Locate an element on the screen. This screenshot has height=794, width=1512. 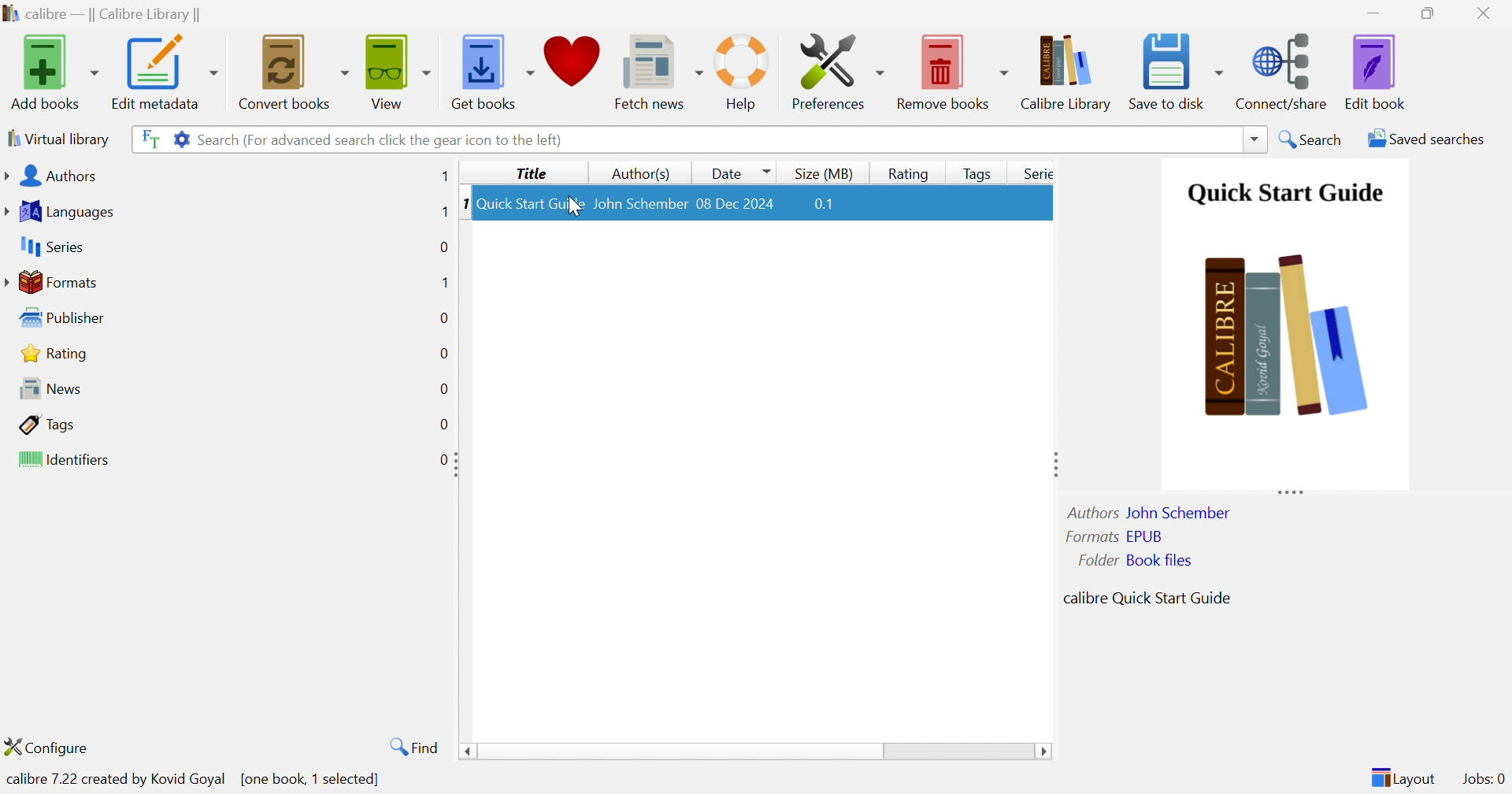
Edit metadata is located at coordinates (165, 72).